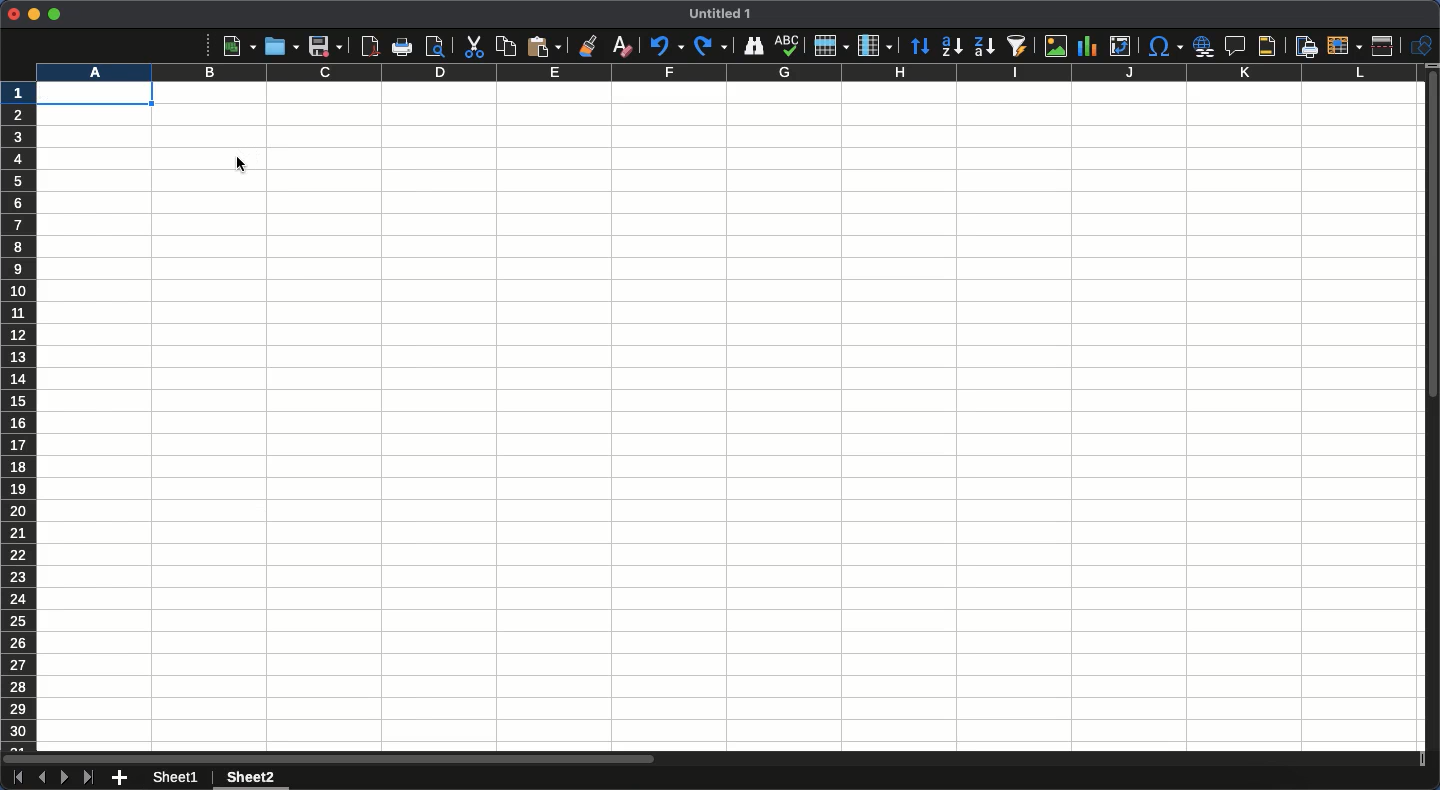  I want to click on Row, so click(832, 45).